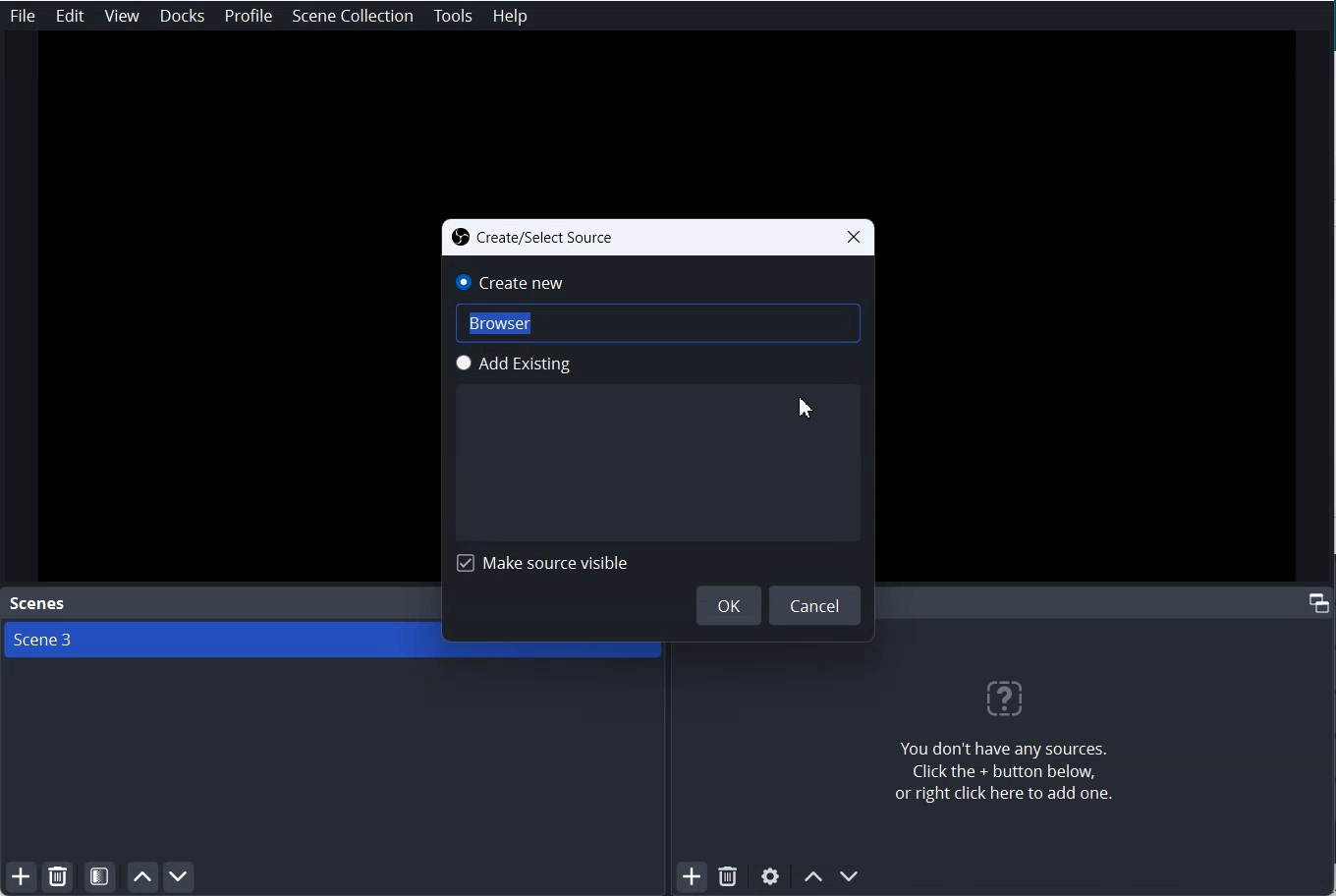  What do you see at coordinates (1319, 601) in the screenshot?
I see `Maximize` at bounding box center [1319, 601].